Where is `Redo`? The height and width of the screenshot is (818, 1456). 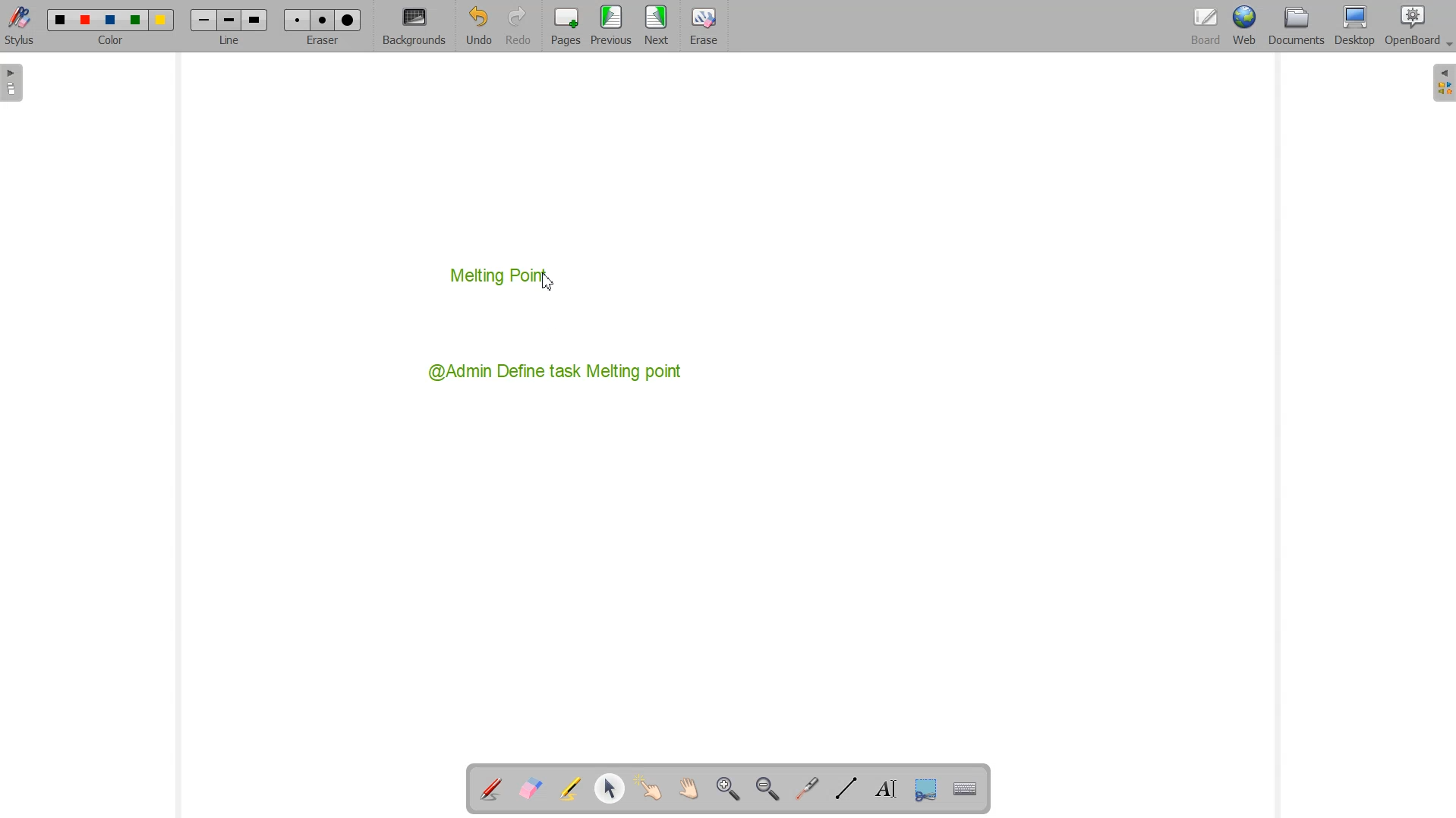
Redo is located at coordinates (518, 26).